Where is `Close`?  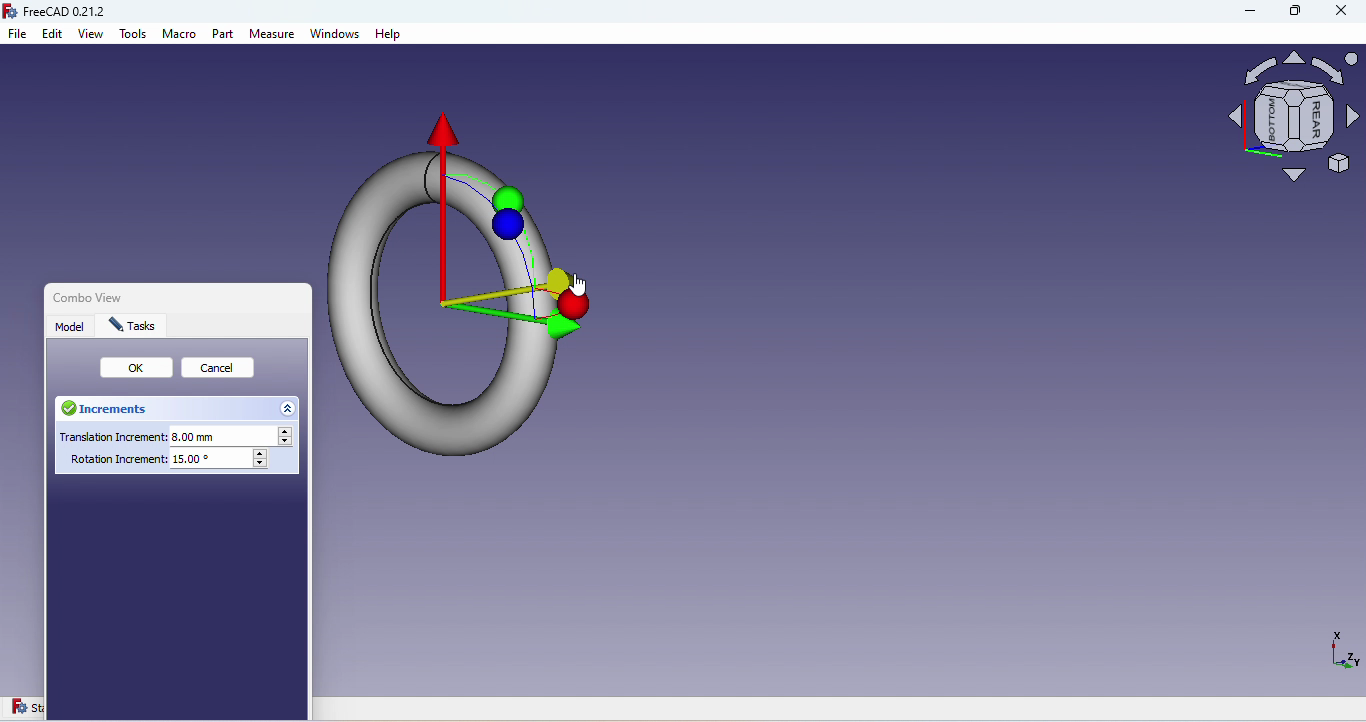
Close is located at coordinates (304, 301).